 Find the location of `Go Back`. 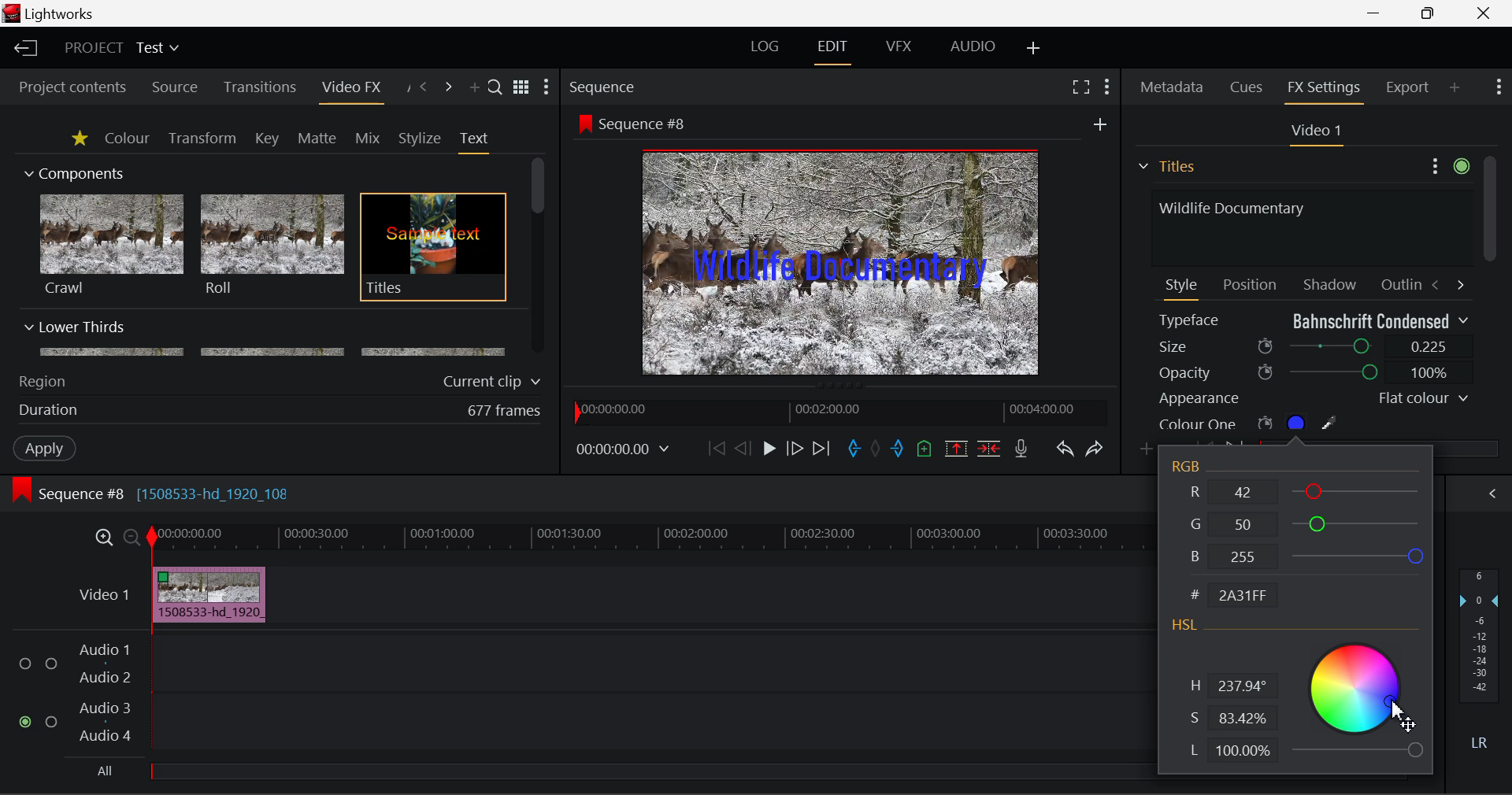

Go Back is located at coordinates (743, 448).